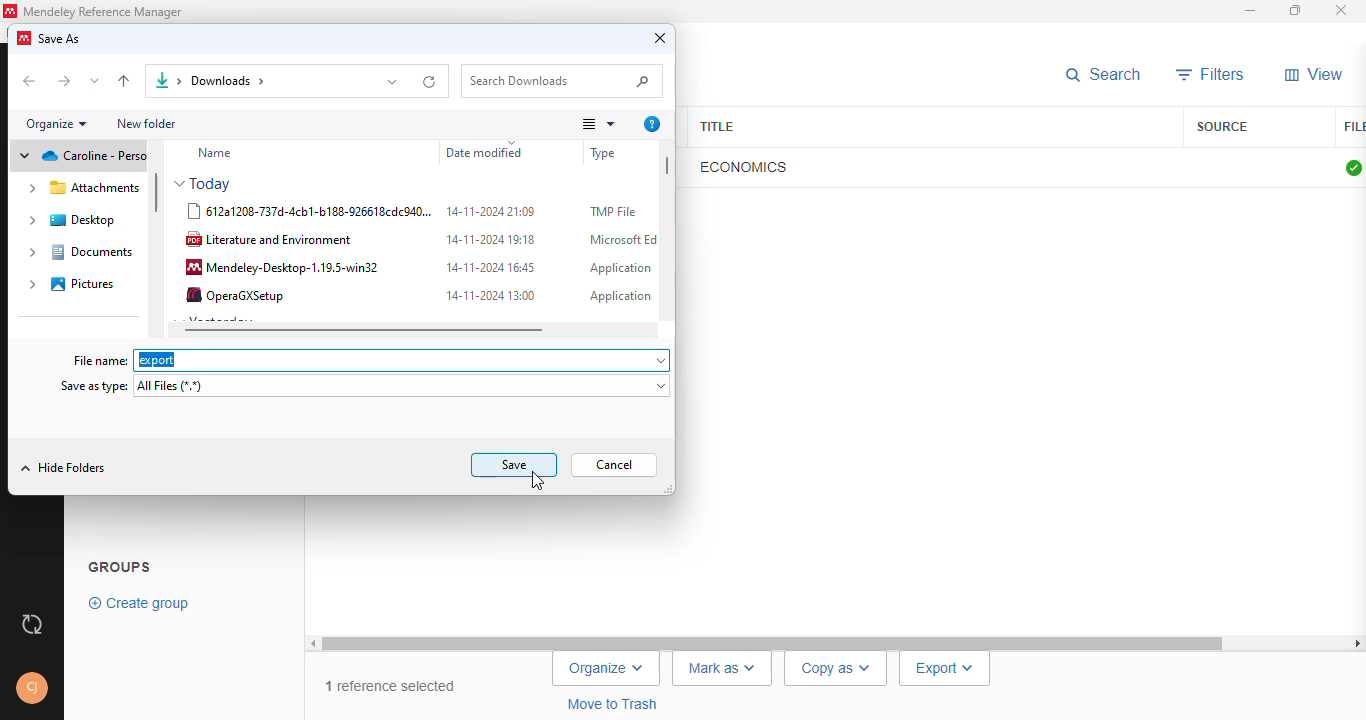 This screenshot has height=720, width=1366. I want to click on 14-11-2024 19:18, so click(491, 239).